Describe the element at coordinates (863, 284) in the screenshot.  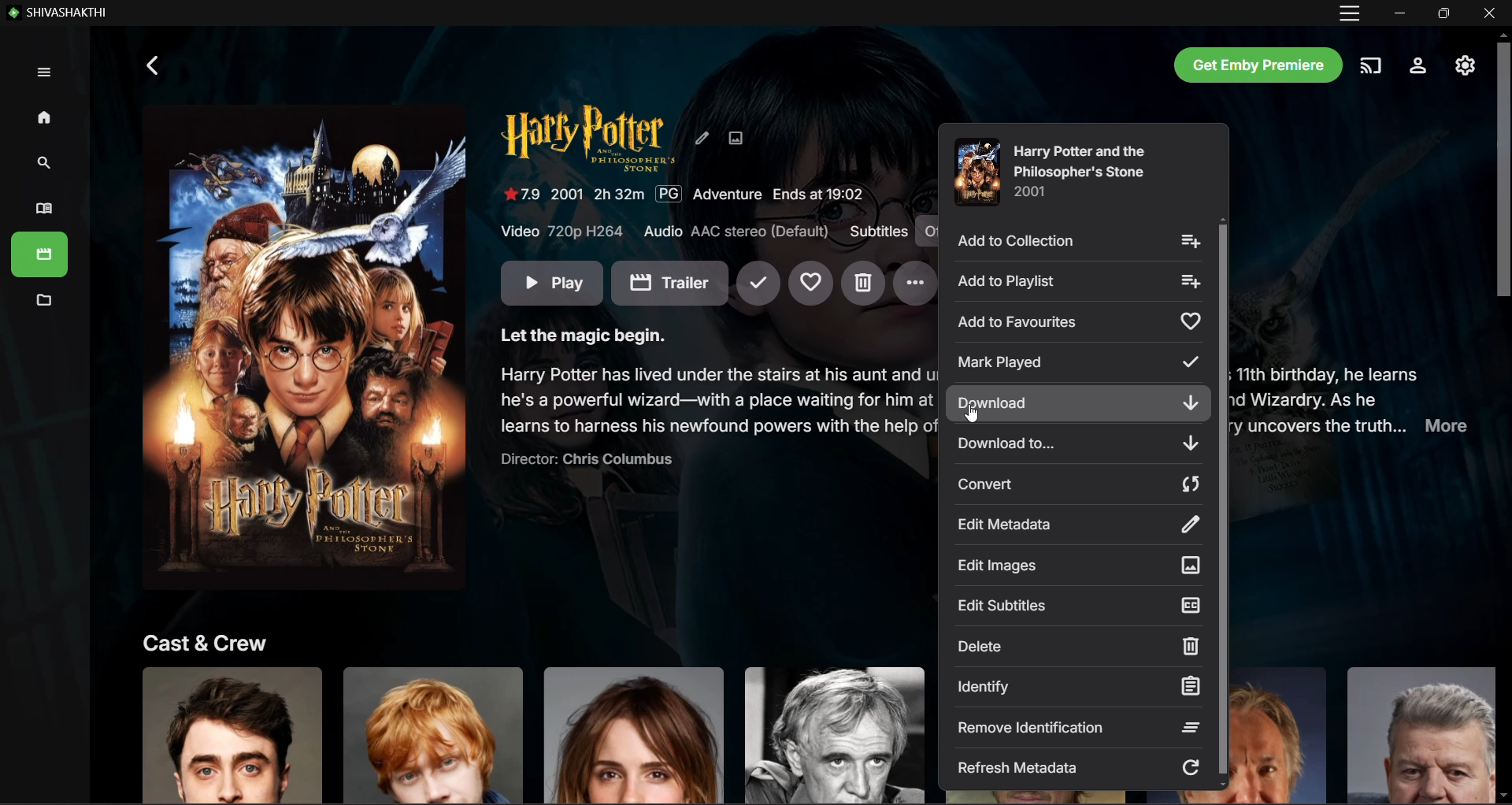
I see `Delete` at that location.